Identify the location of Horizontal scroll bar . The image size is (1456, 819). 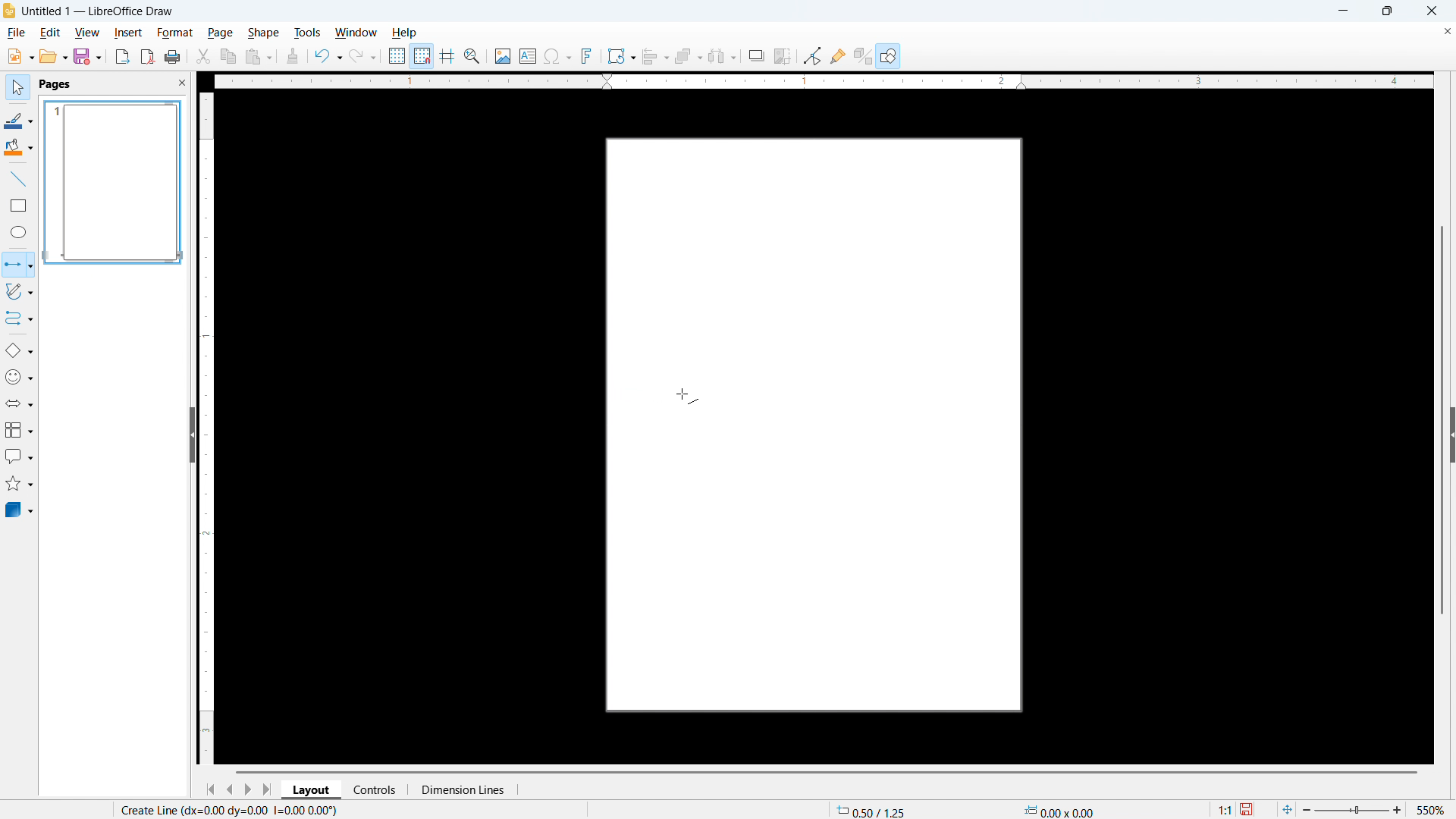
(827, 772).